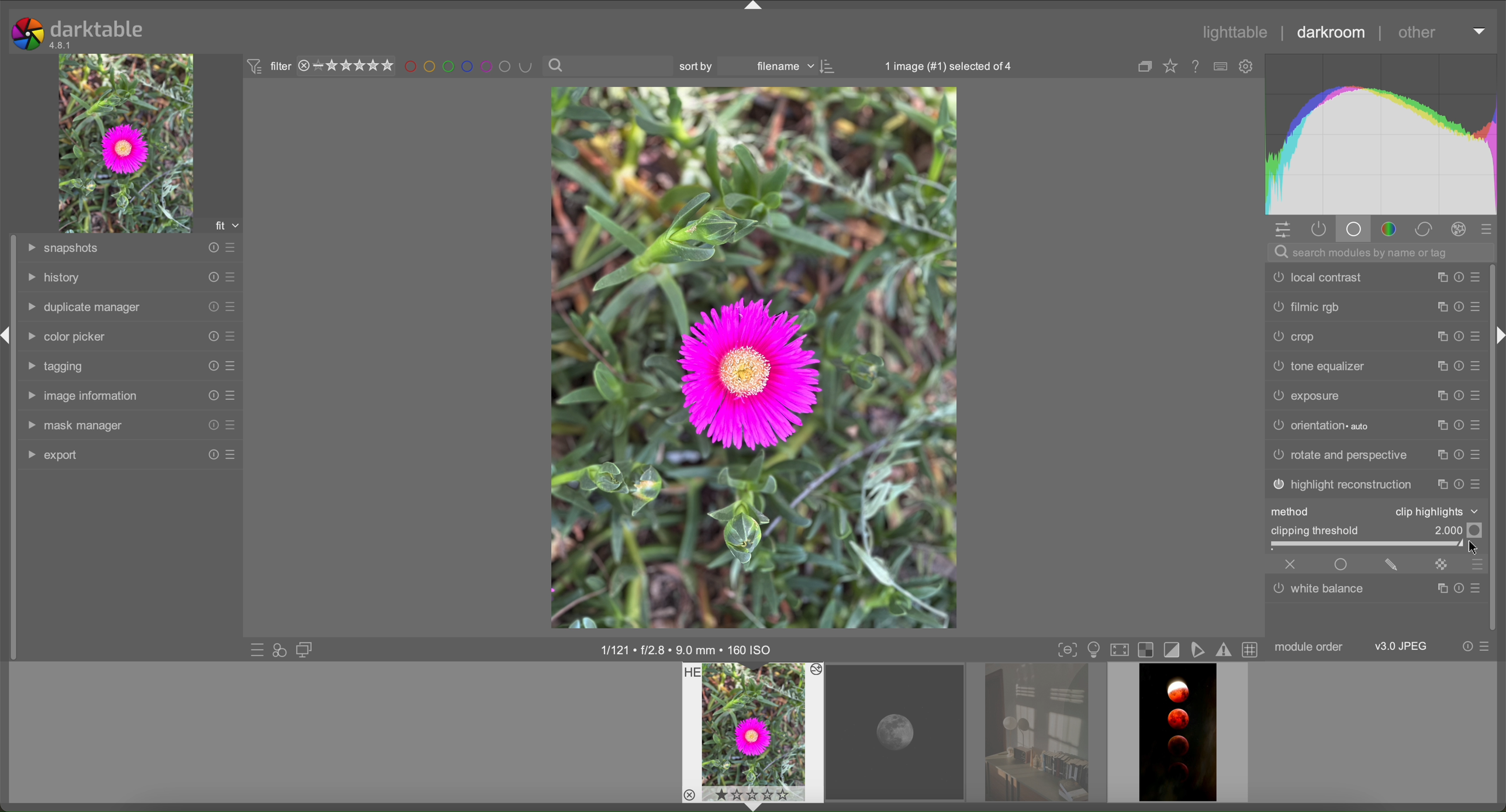 This screenshot has height=812, width=1506. I want to click on icon, so click(830, 67).